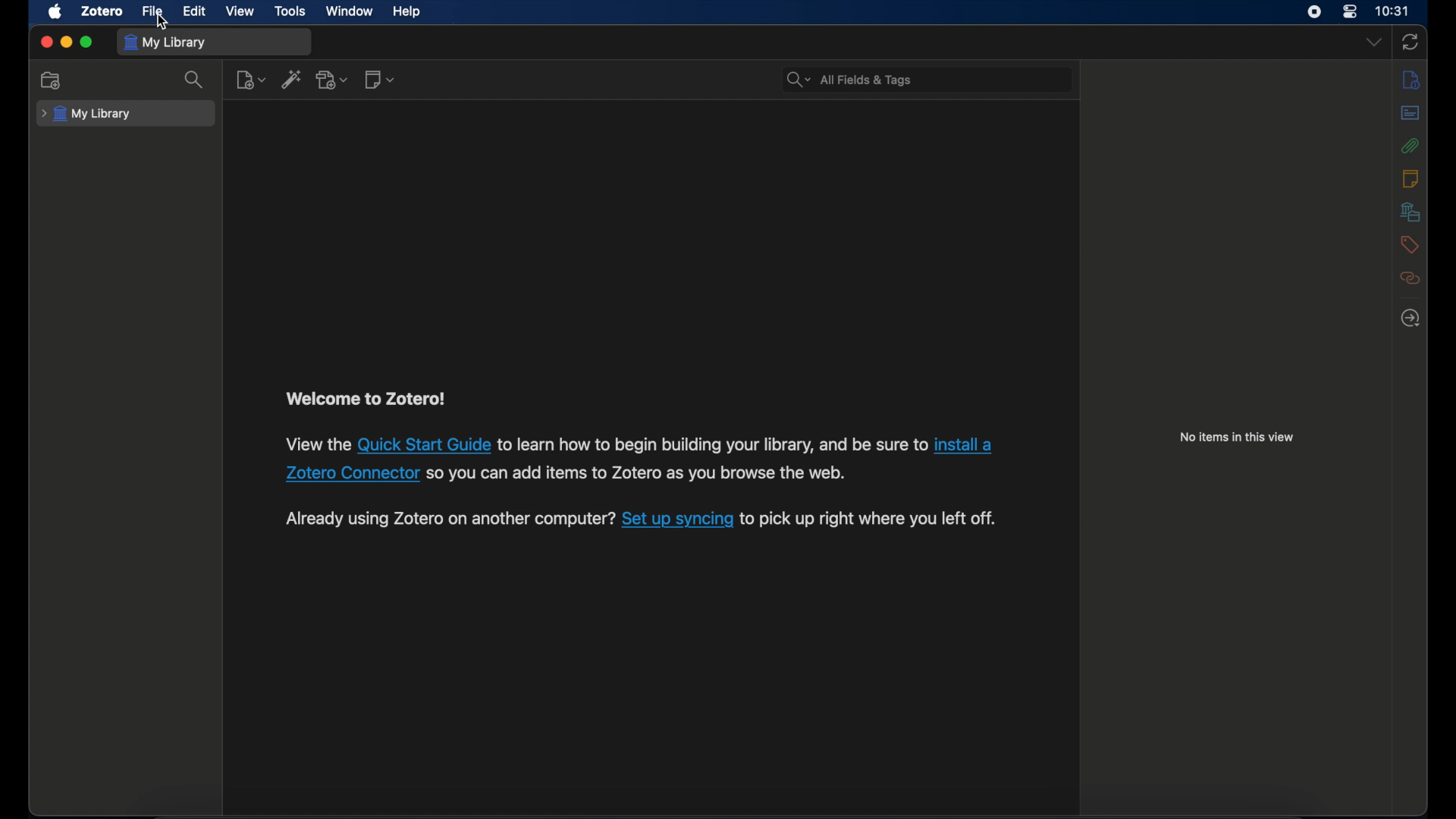  Describe the element at coordinates (240, 12) in the screenshot. I see `view` at that location.